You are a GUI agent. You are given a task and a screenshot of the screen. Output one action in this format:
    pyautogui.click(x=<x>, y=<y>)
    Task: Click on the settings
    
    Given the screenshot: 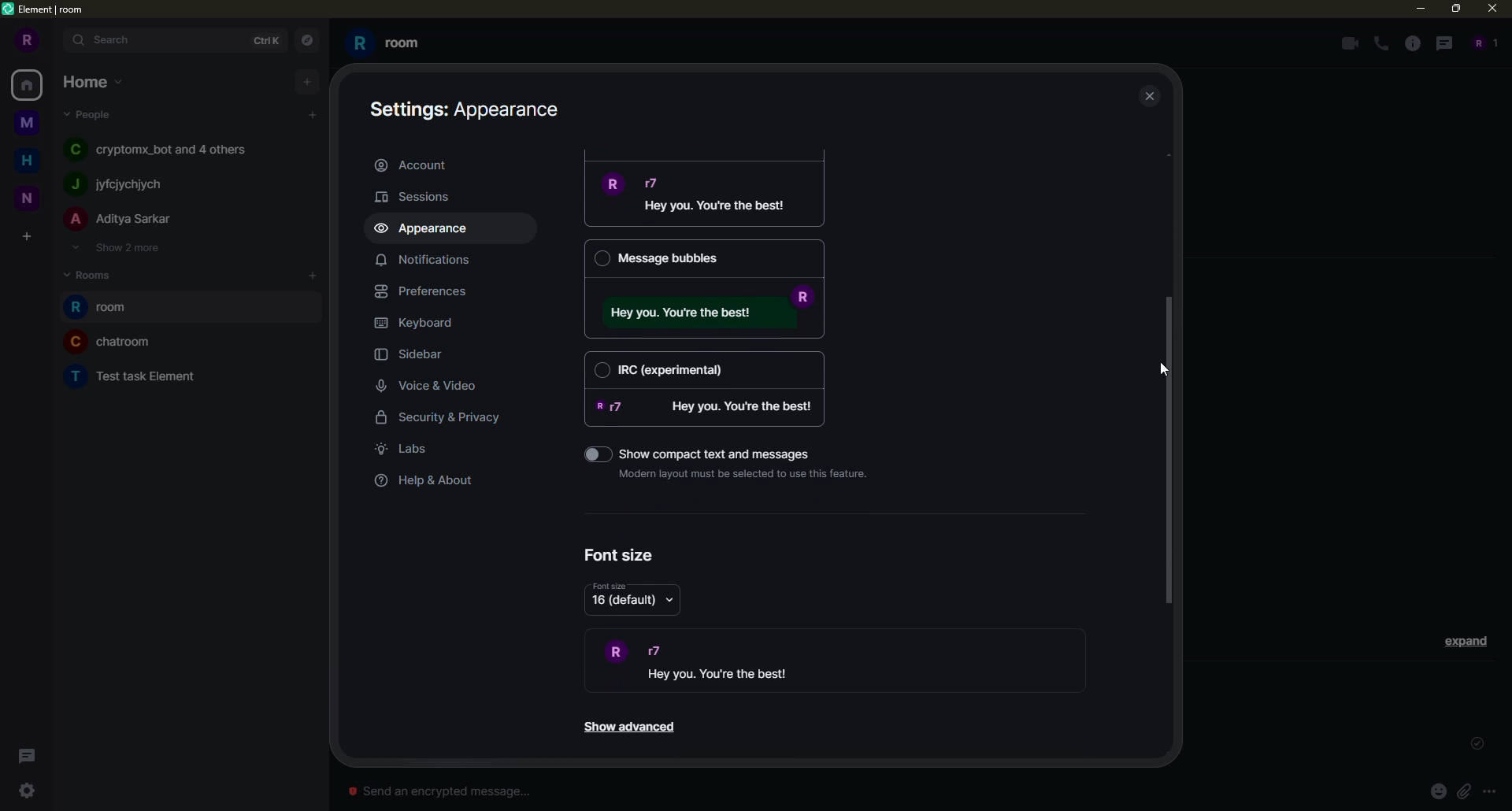 What is the action you would take?
    pyautogui.click(x=27, y=791)
    